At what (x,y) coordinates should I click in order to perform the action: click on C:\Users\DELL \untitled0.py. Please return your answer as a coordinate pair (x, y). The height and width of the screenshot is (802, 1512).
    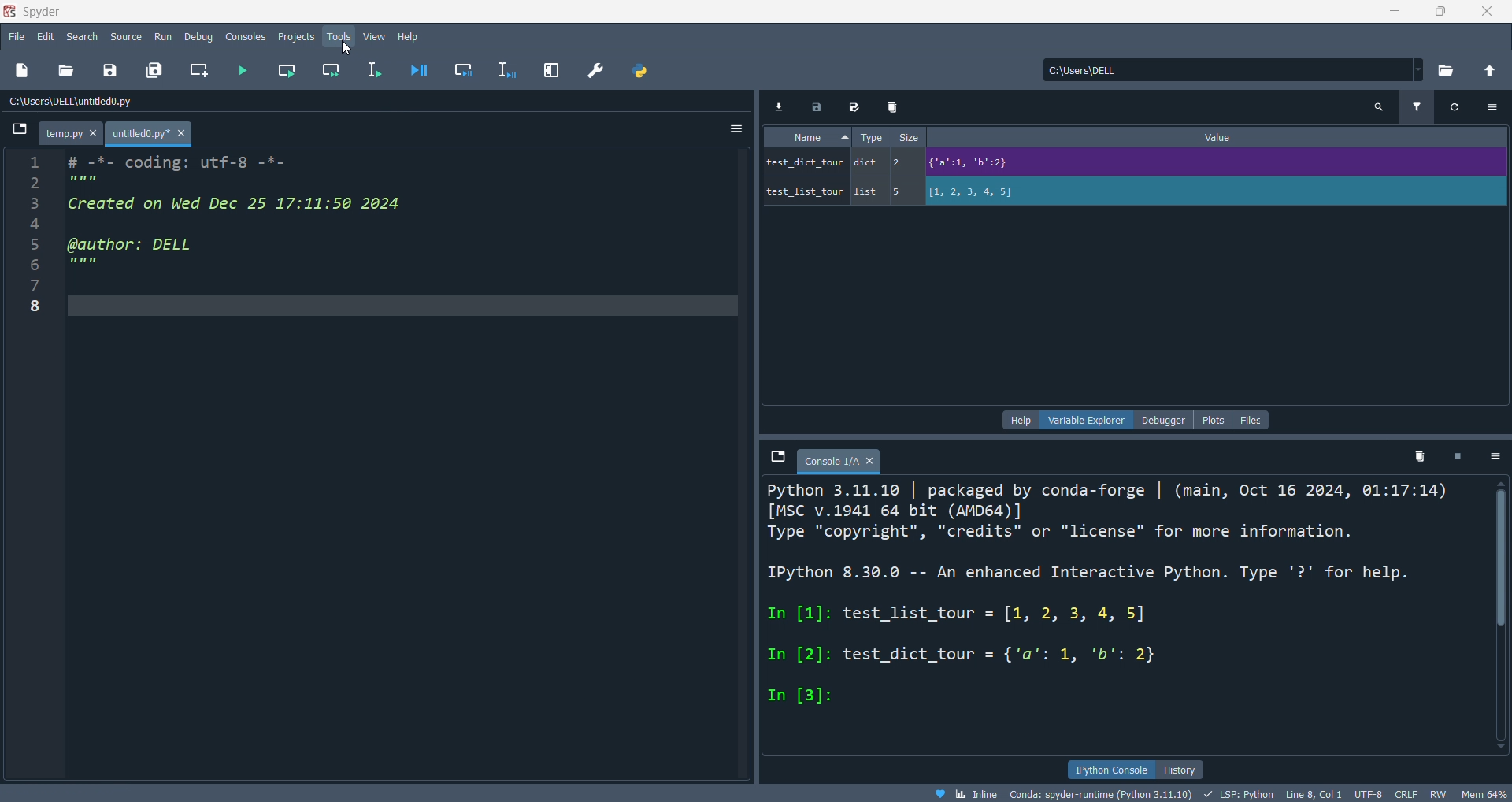
    Looking at the image, I should click on (106, 103).